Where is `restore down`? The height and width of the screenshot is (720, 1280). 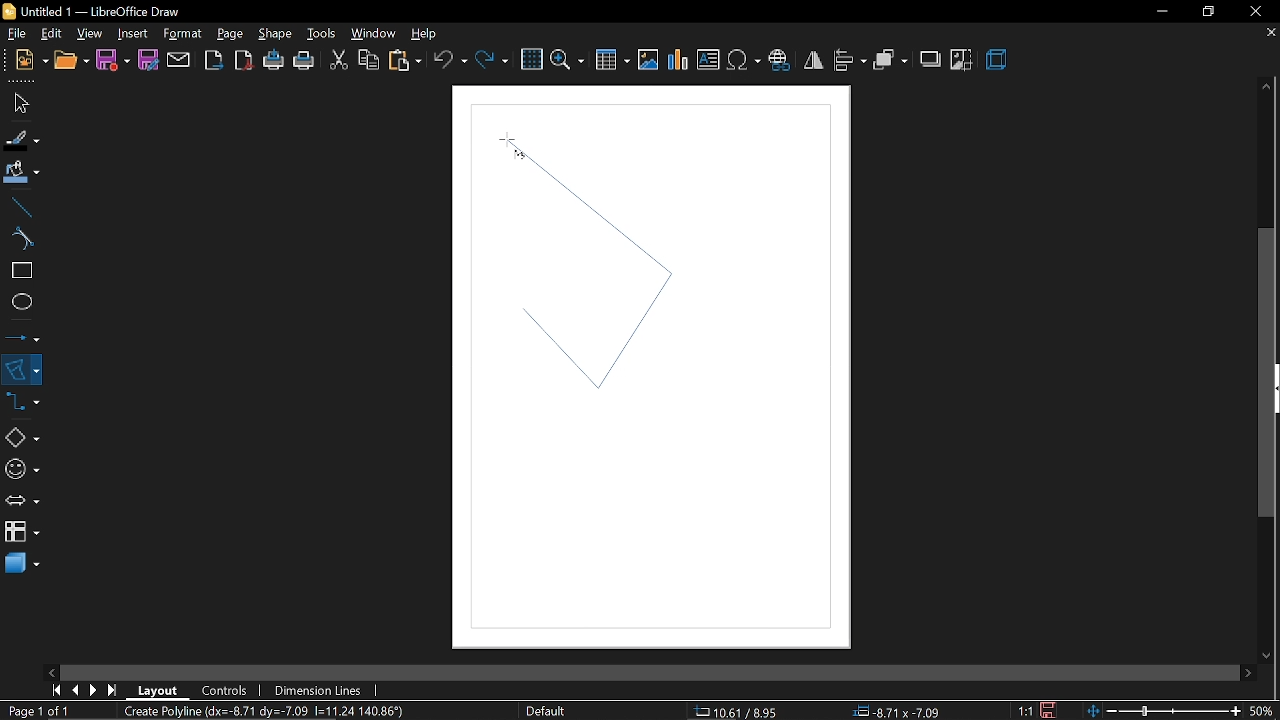
restore down is located at coordinates (1209, 11).